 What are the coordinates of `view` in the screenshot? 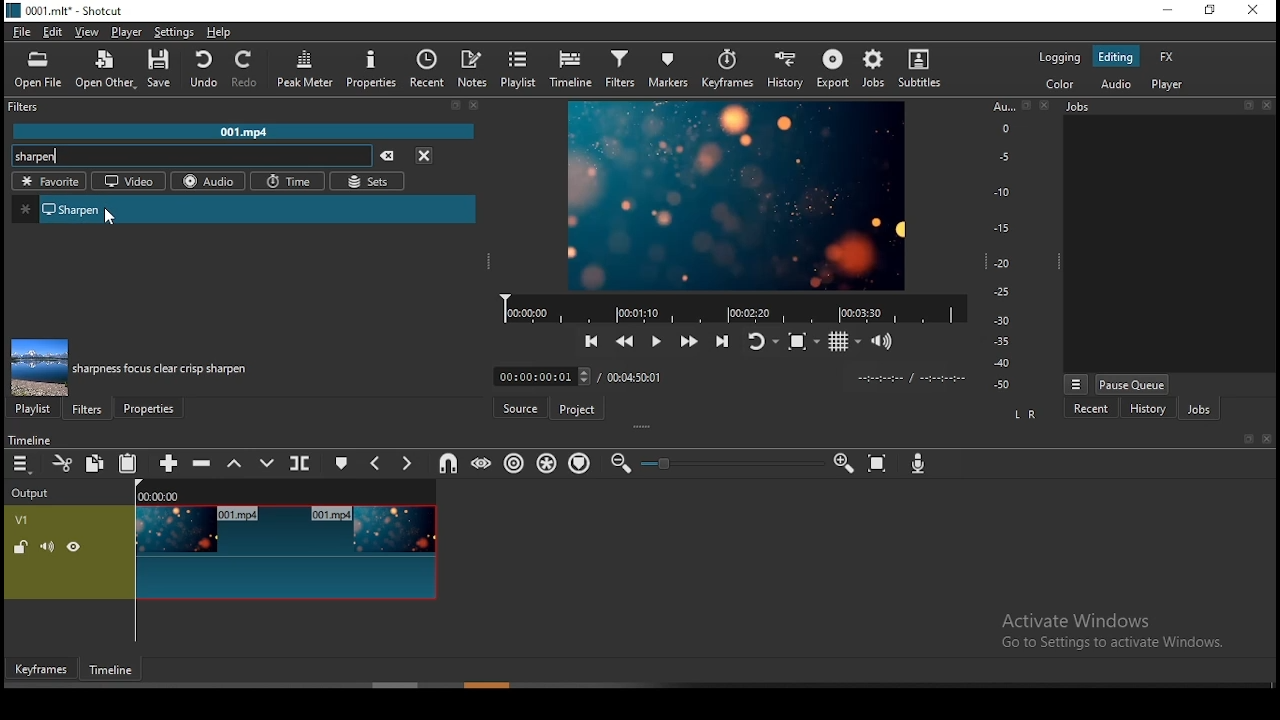 It's located at (86, 31).